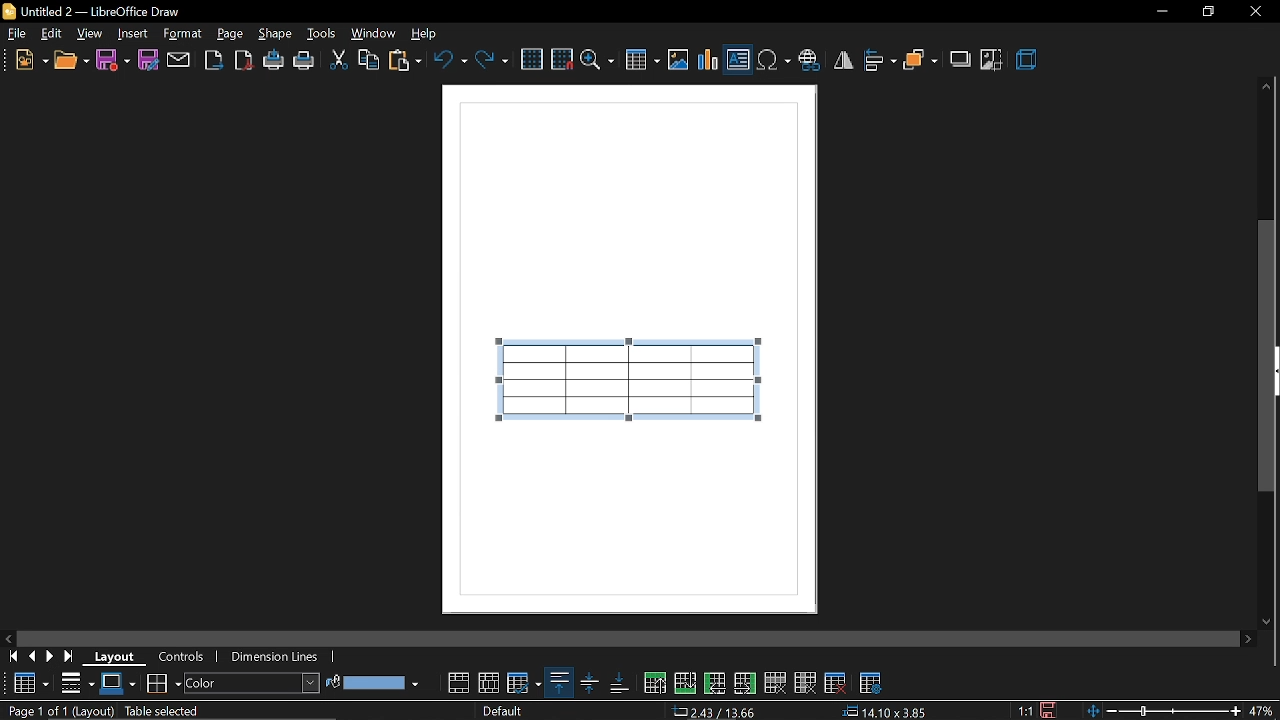 The height and width of the screenshot is (720, 1280). Describe the element at coordinates (25, 59) in the screenshot. I see `new` at that location.